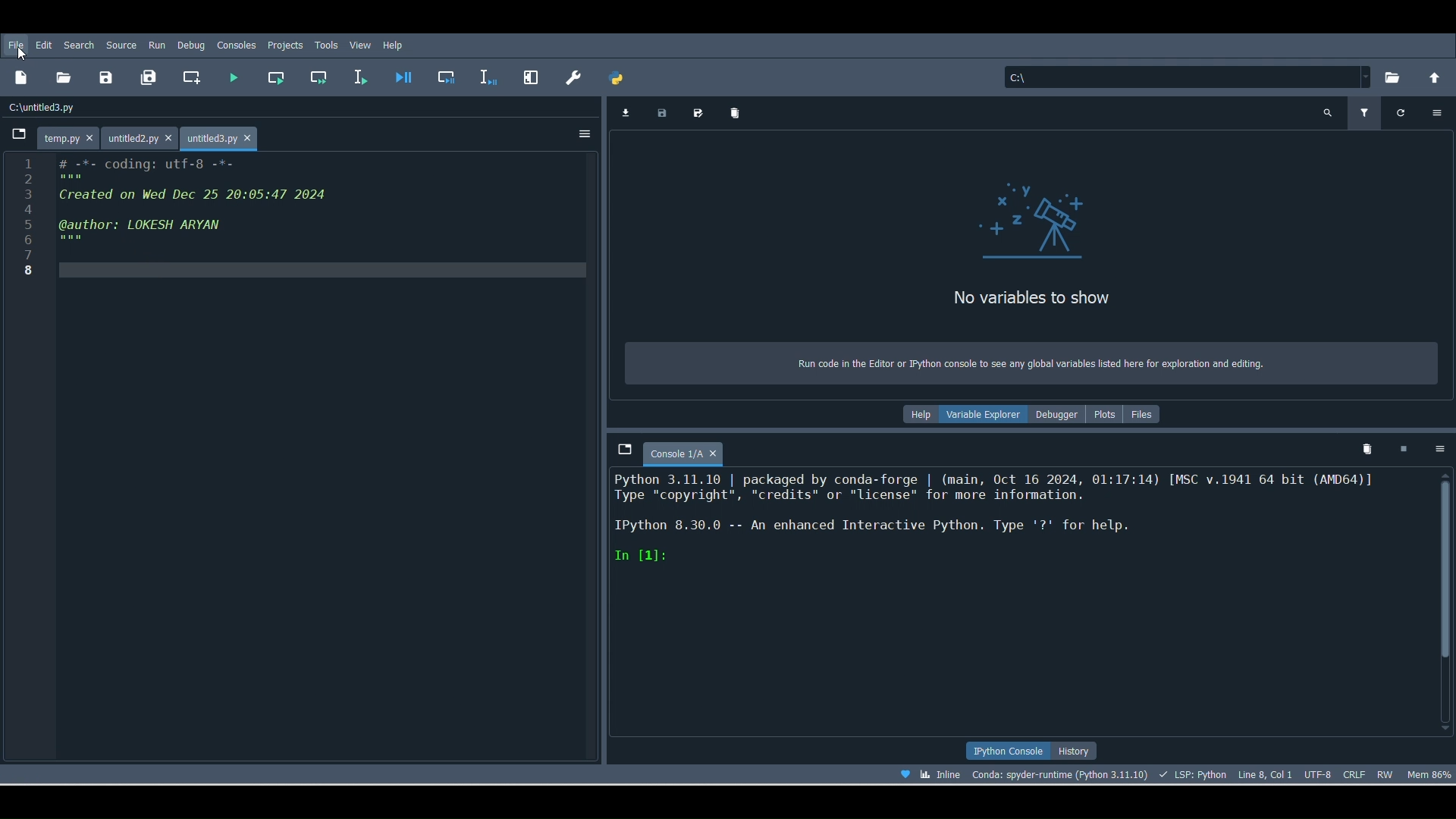 Image resolution: width=1456 pixels, height=819 pixels. What do you see at coordinates (360, 44) in the screenshot?
I see `View` at bounding box center [360, 44].